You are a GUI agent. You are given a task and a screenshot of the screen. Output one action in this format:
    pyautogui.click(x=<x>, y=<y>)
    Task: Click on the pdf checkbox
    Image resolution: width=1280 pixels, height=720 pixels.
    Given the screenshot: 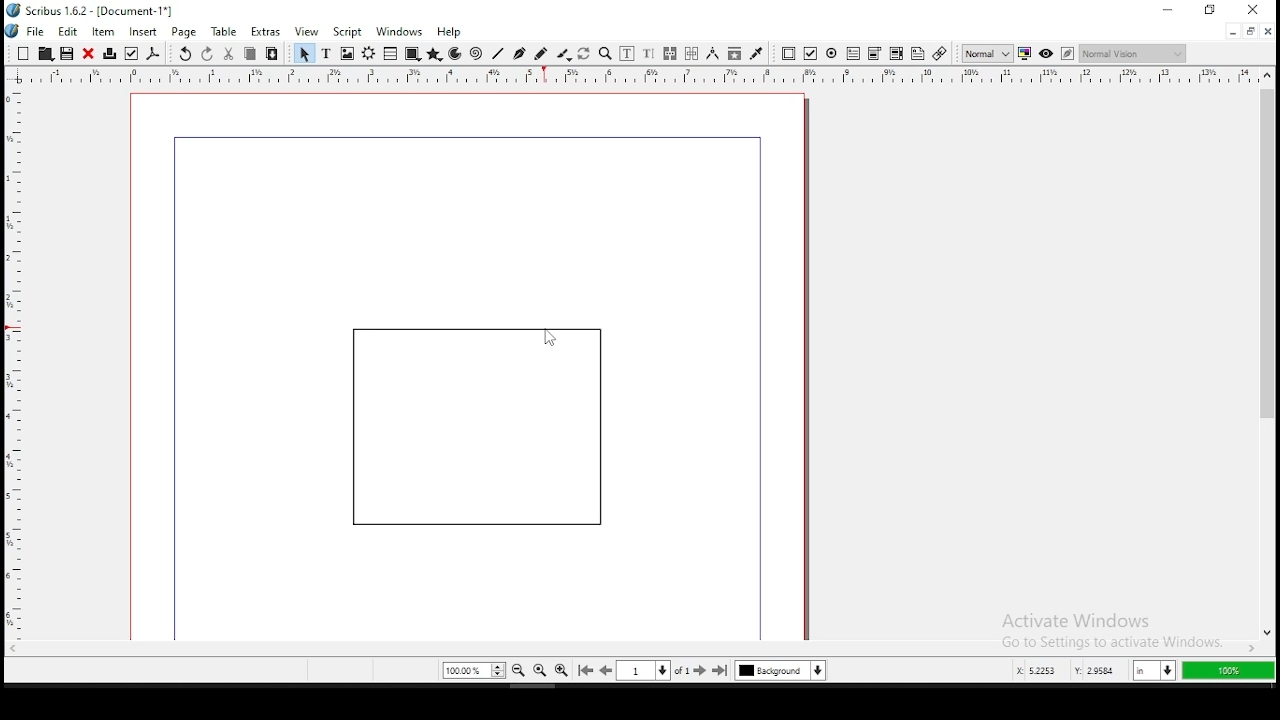 What is the action you would take?
    pyautogui.click(x=810, y=54)
    